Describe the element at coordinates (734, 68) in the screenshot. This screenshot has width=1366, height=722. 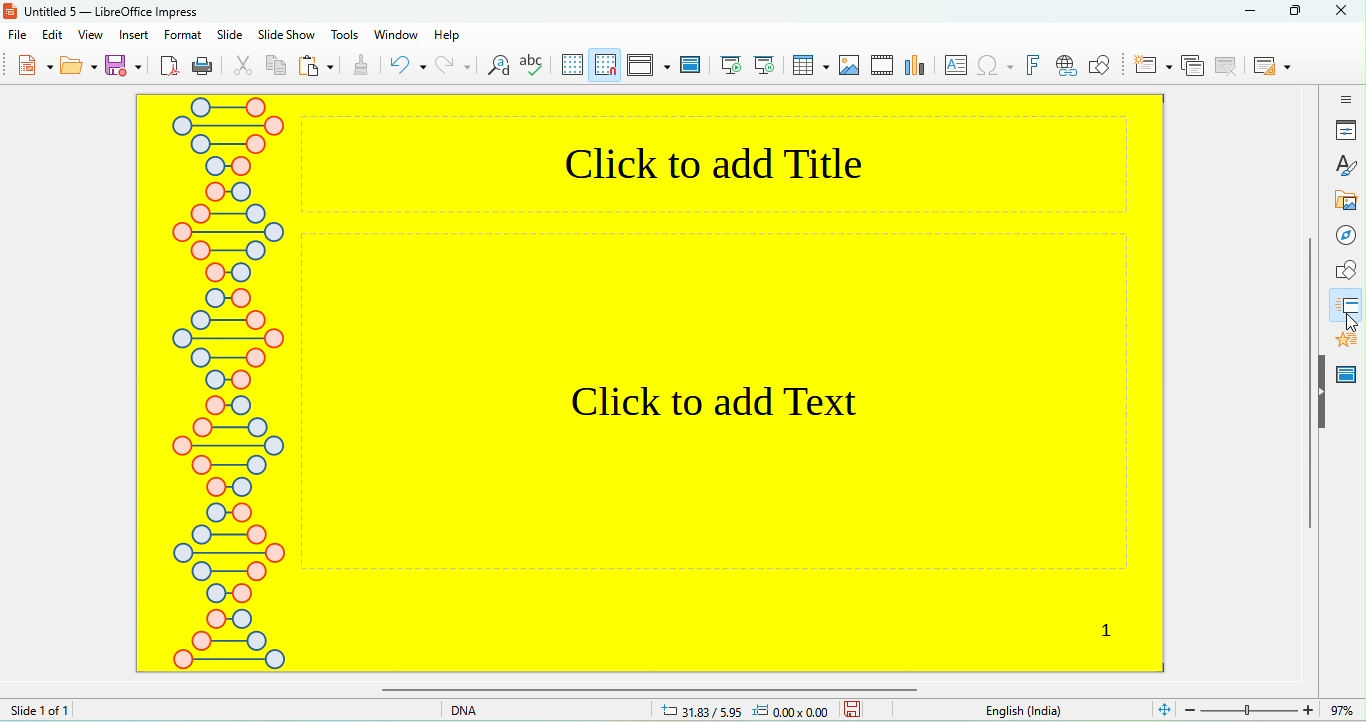
I see `first slide` at that location.